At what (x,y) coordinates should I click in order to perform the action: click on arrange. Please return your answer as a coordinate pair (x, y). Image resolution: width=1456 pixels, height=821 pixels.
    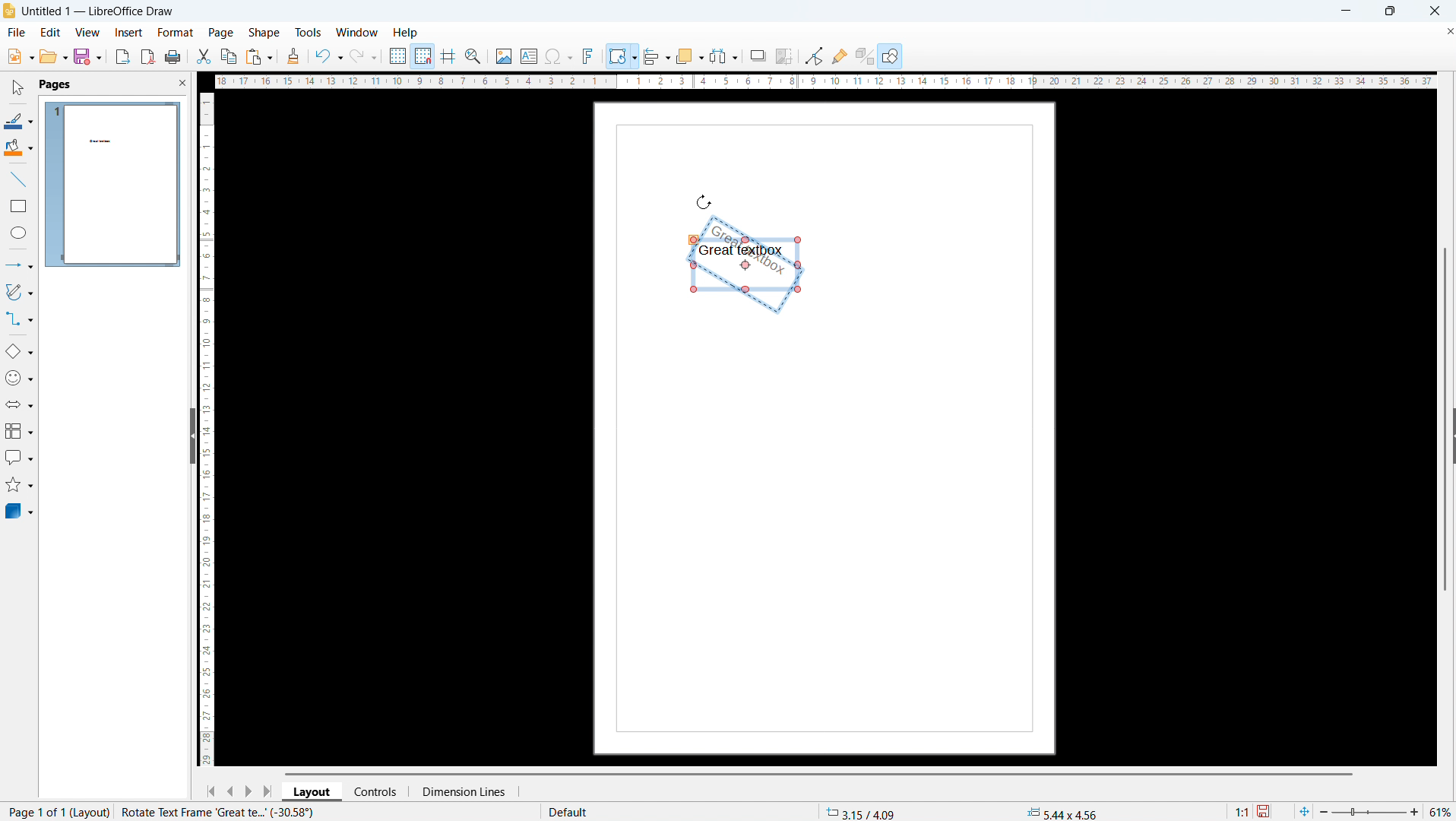
    Looking at the image, I should click on (689, 55).